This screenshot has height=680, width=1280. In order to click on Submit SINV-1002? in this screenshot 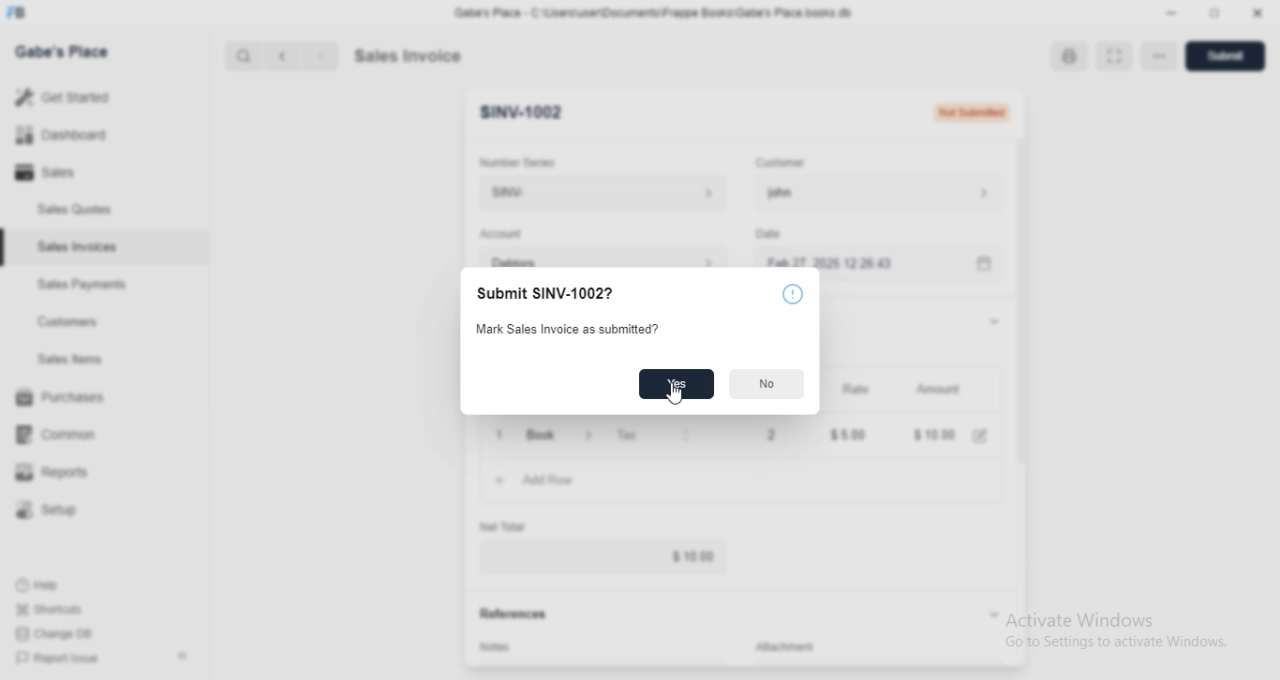, I will do `click(574, 294)`.